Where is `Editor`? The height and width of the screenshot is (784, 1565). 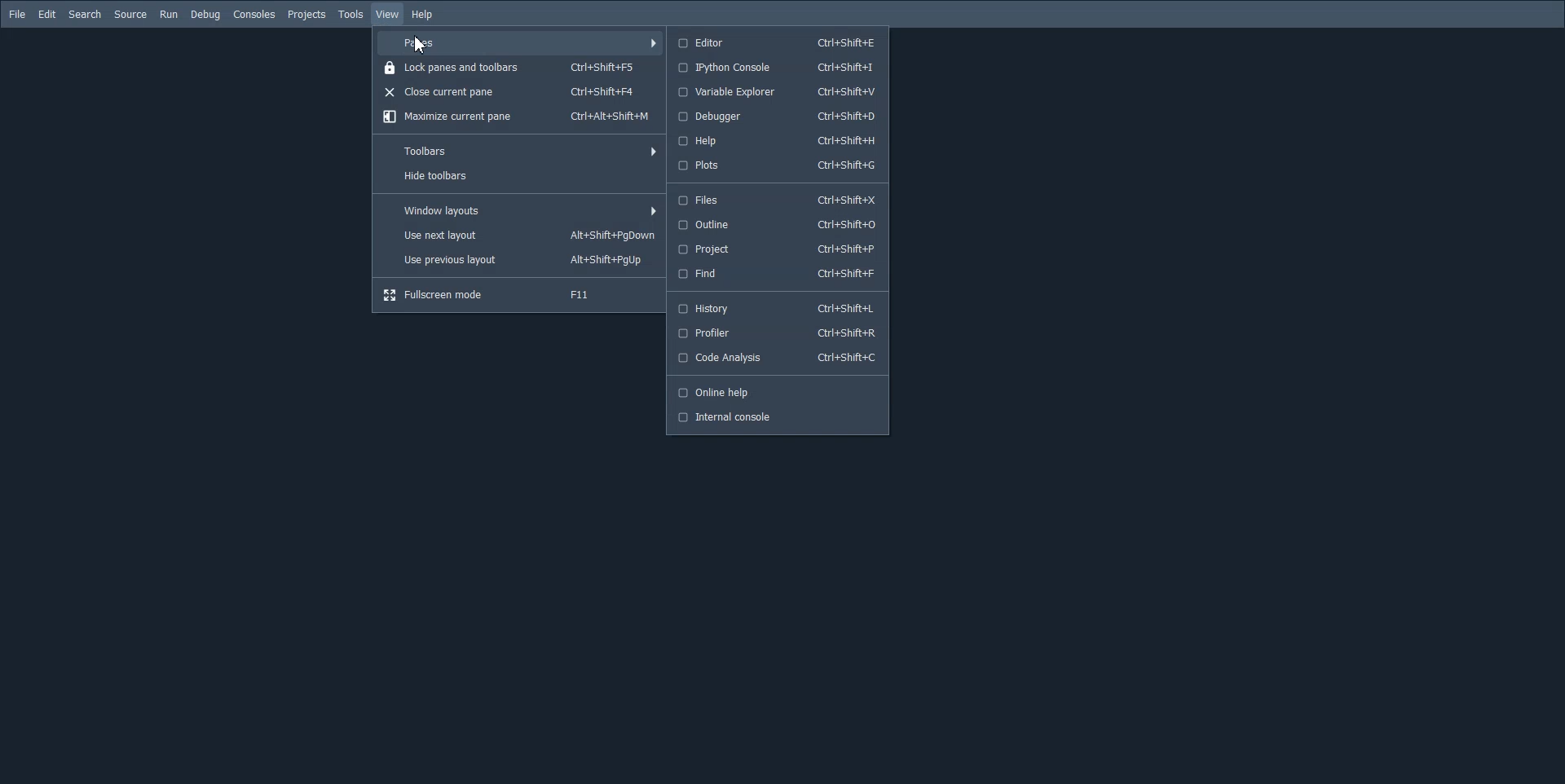
Editor is located at coordinates (778, 41).